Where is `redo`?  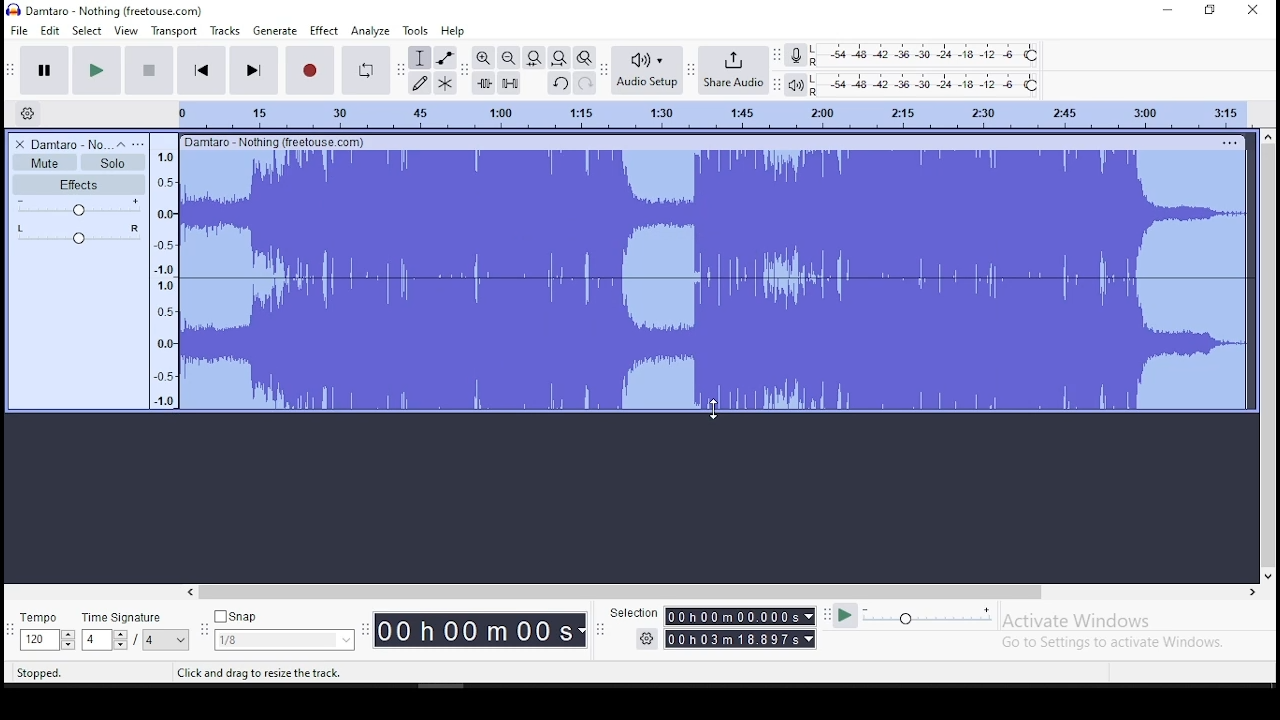
redo is located at coordinates (584, 83).